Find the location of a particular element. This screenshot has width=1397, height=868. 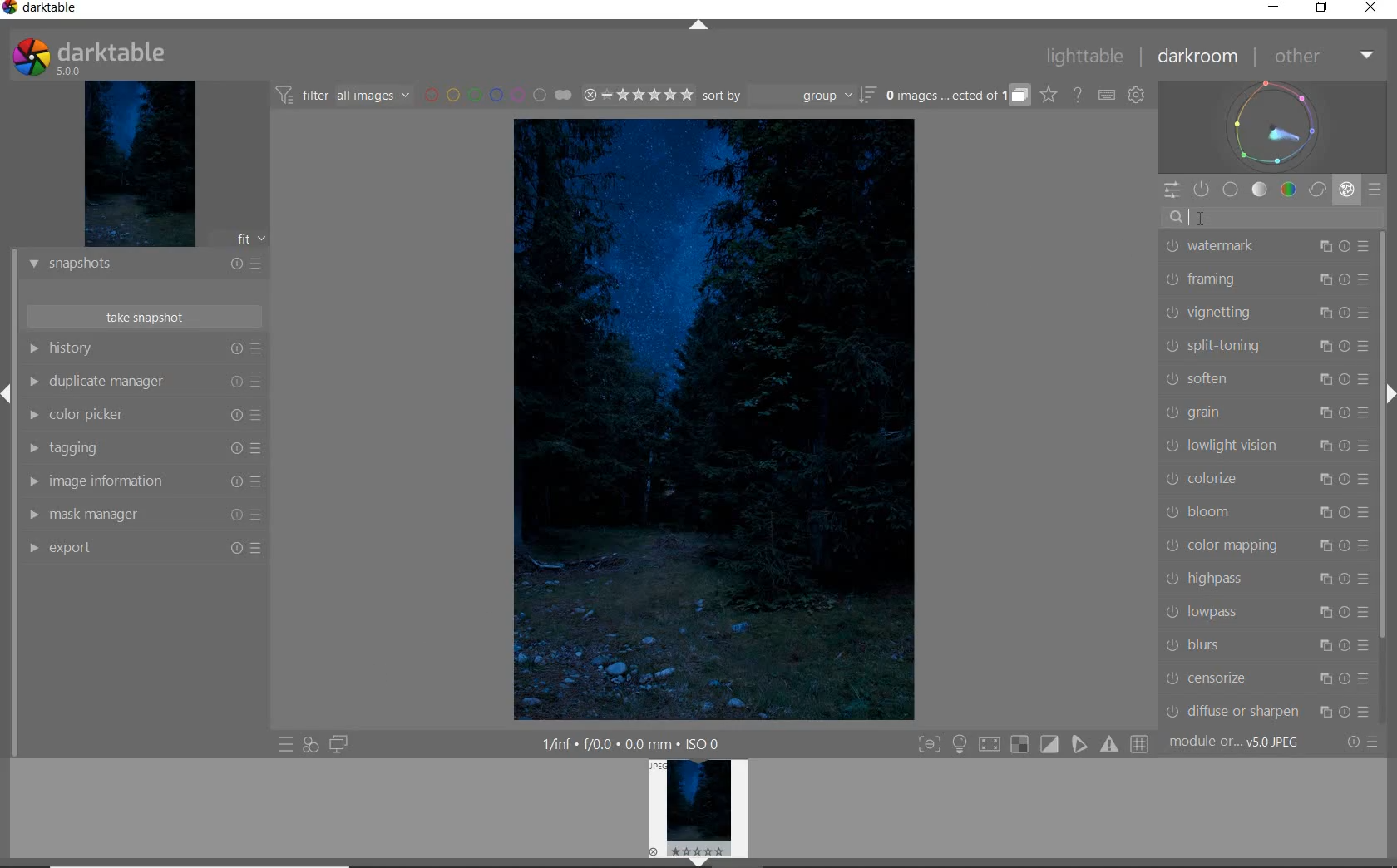

COLOR PICKER is located at coordinates (144, 417).